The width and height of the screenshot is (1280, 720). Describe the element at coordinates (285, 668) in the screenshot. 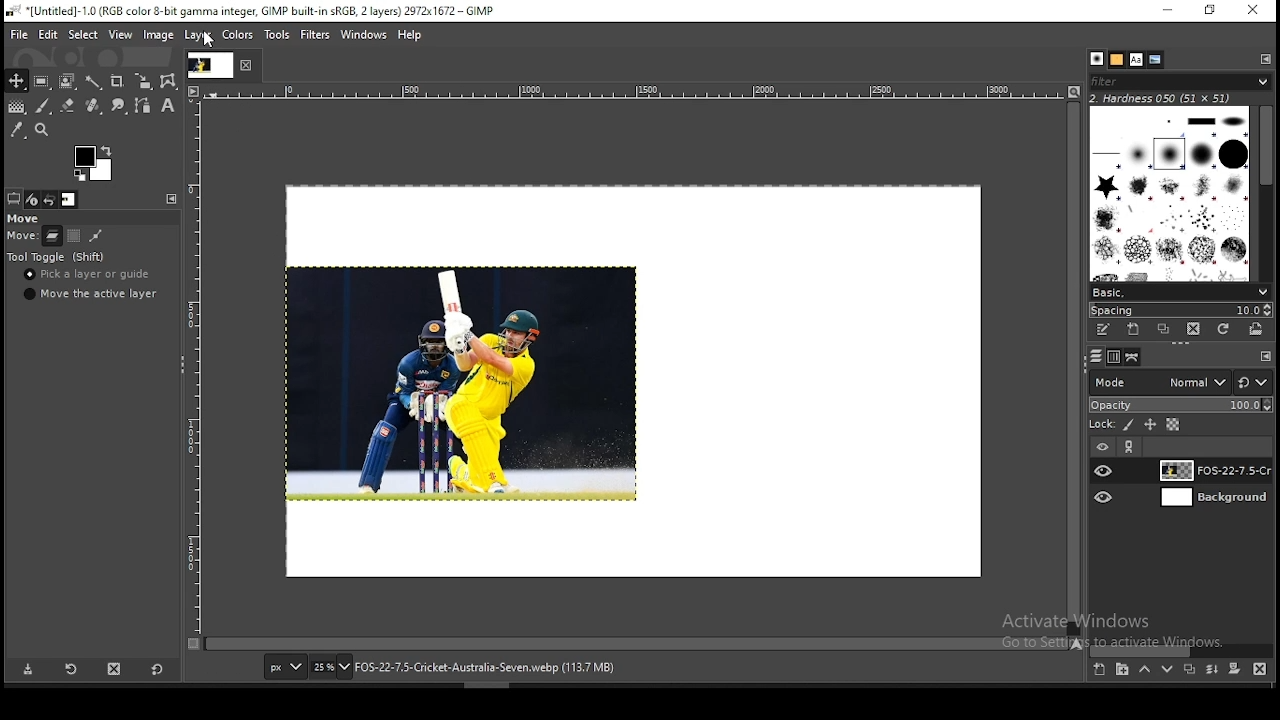

I see `units` at that location.